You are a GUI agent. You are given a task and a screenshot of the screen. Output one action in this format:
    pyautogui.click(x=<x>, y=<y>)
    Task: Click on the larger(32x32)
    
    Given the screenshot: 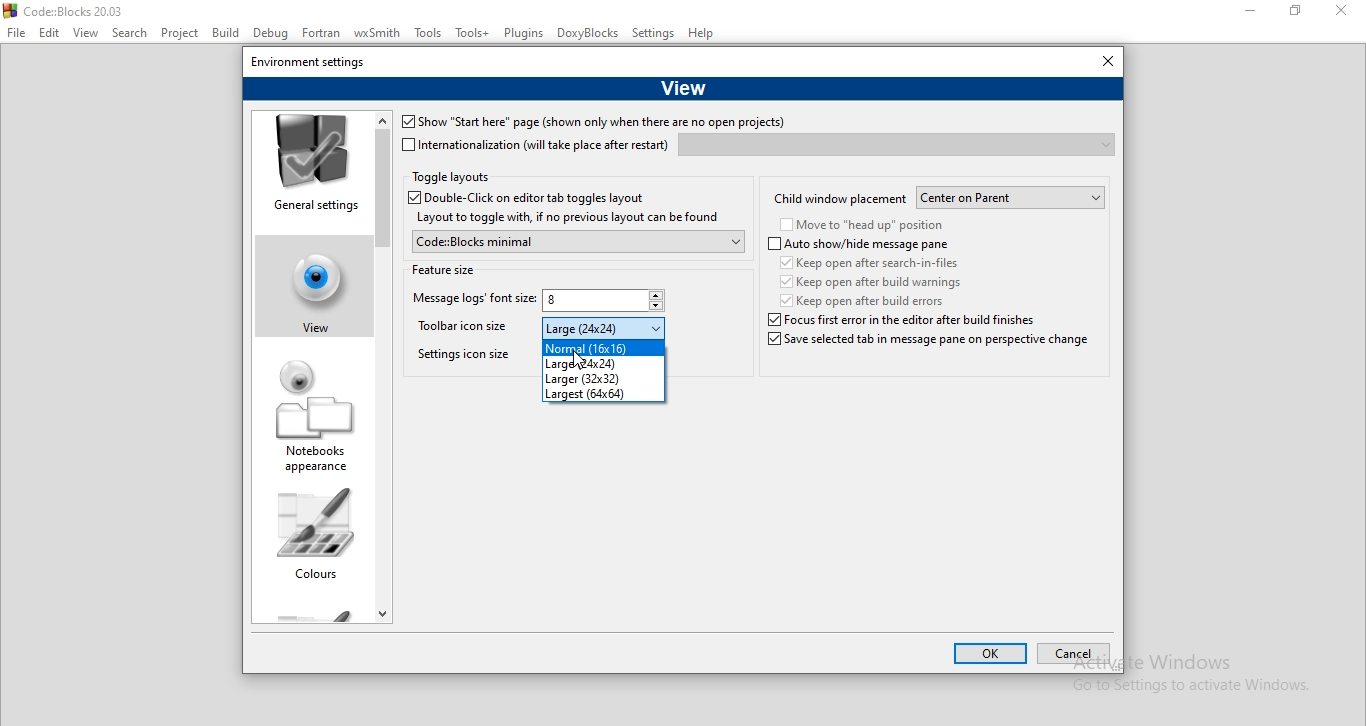 What is the action you would take?
    pyautogui.click(x=603, y=378)
    